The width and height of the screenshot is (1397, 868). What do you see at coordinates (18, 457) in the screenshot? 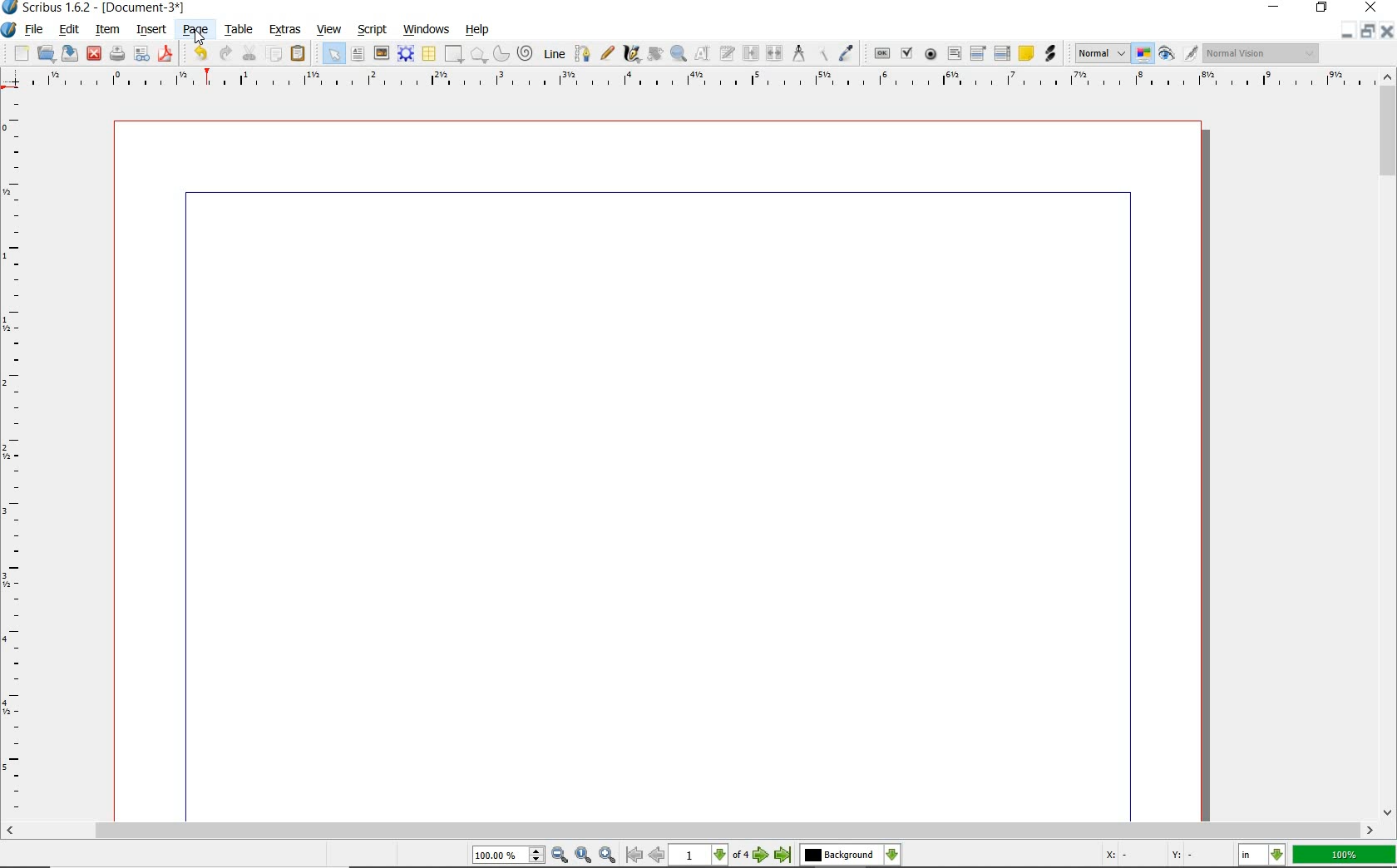
I see `Vertical Margin` at bounding box center [18, 457].